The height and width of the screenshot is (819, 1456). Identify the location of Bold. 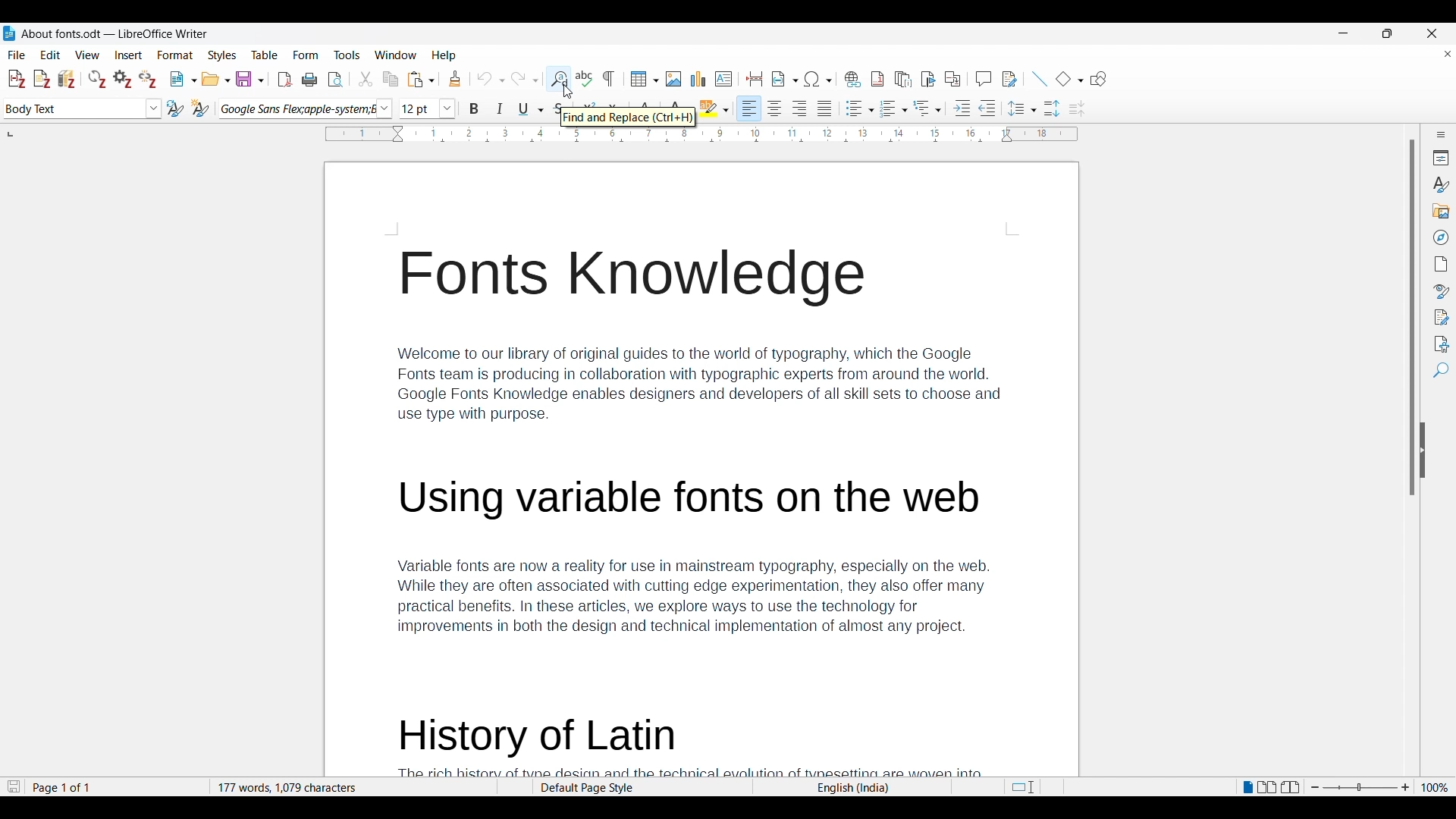
(475, 108).